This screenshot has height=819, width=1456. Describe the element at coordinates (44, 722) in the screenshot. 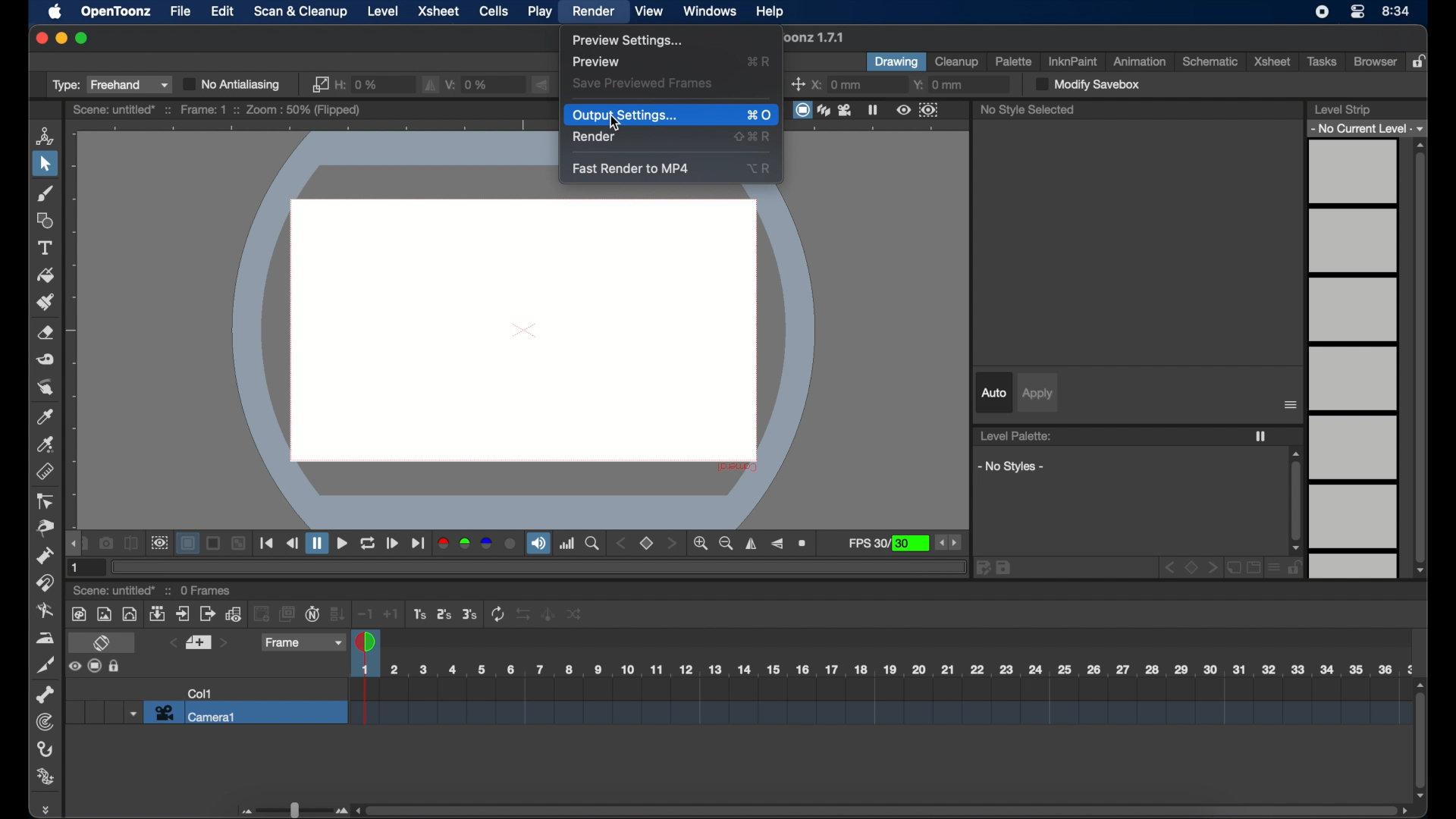

I see `tracker tool` at that location.